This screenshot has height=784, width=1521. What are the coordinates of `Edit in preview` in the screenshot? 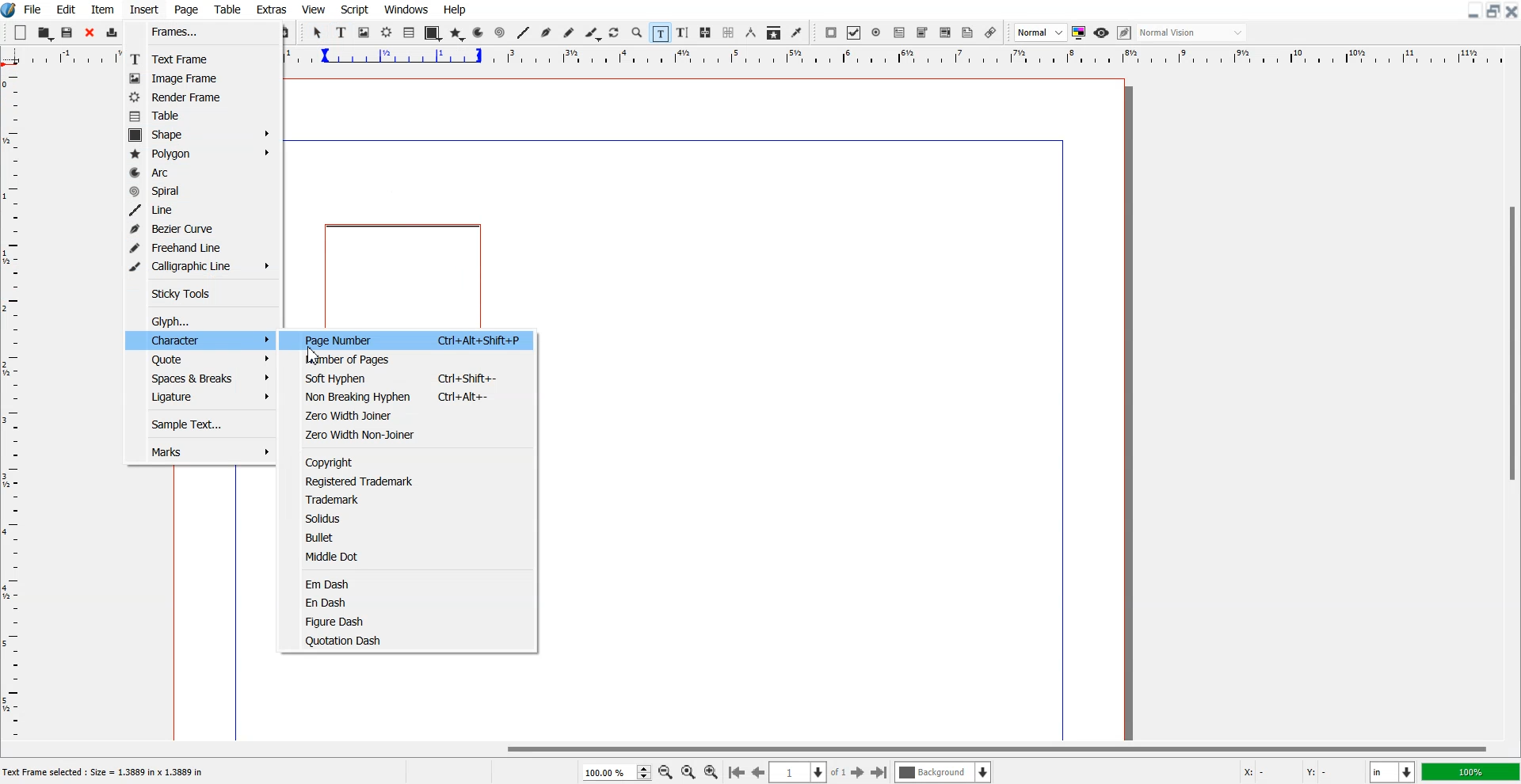 It's located at (1126, 33).